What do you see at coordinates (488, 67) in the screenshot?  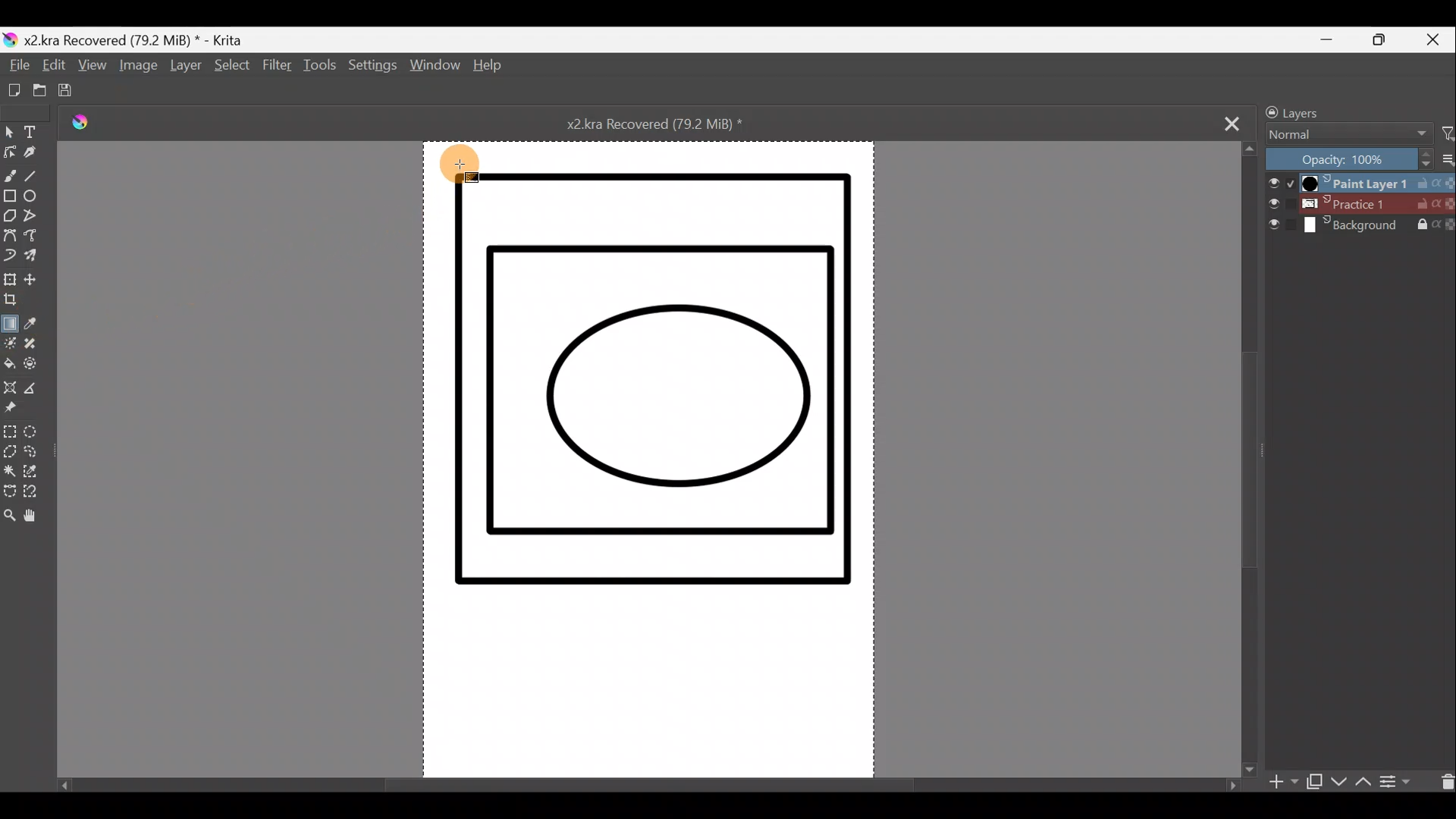 I see `Help` at bounding box center [488, 67].